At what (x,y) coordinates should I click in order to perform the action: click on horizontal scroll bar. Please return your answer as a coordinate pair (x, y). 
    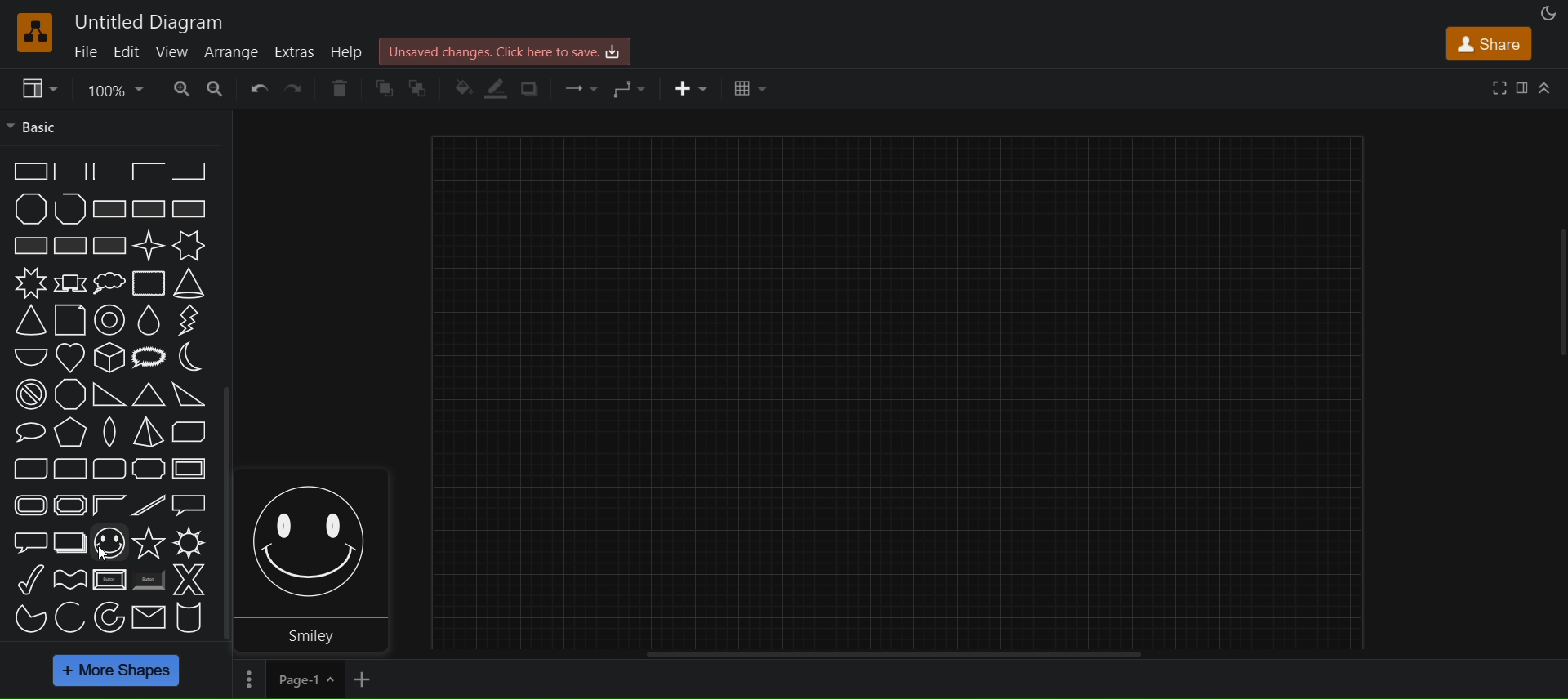
    Looking at the image, I should click on (893, 653).